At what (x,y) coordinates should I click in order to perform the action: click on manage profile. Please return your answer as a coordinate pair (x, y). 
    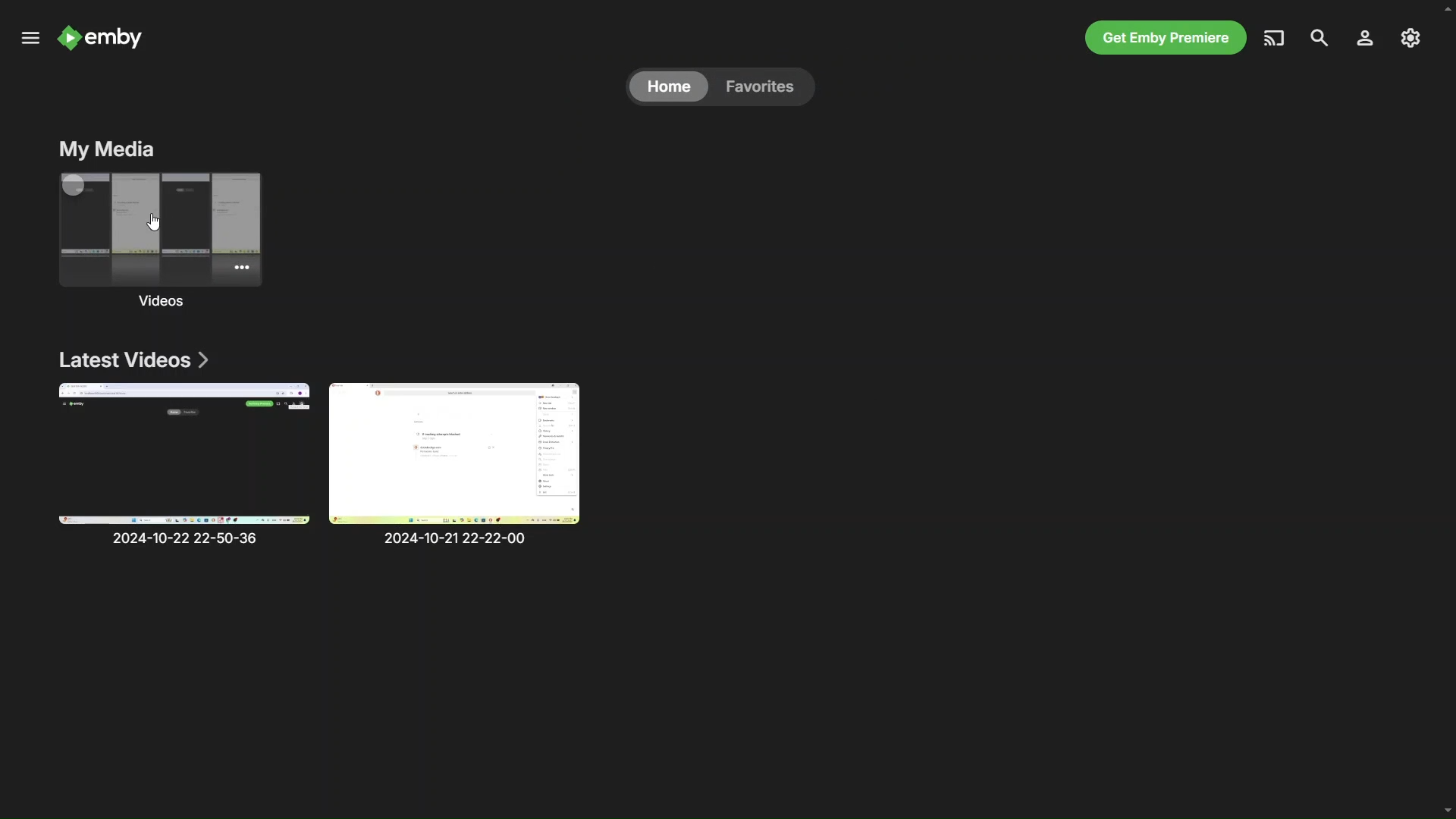
    Looking at the image, I should click on (1363, 39).